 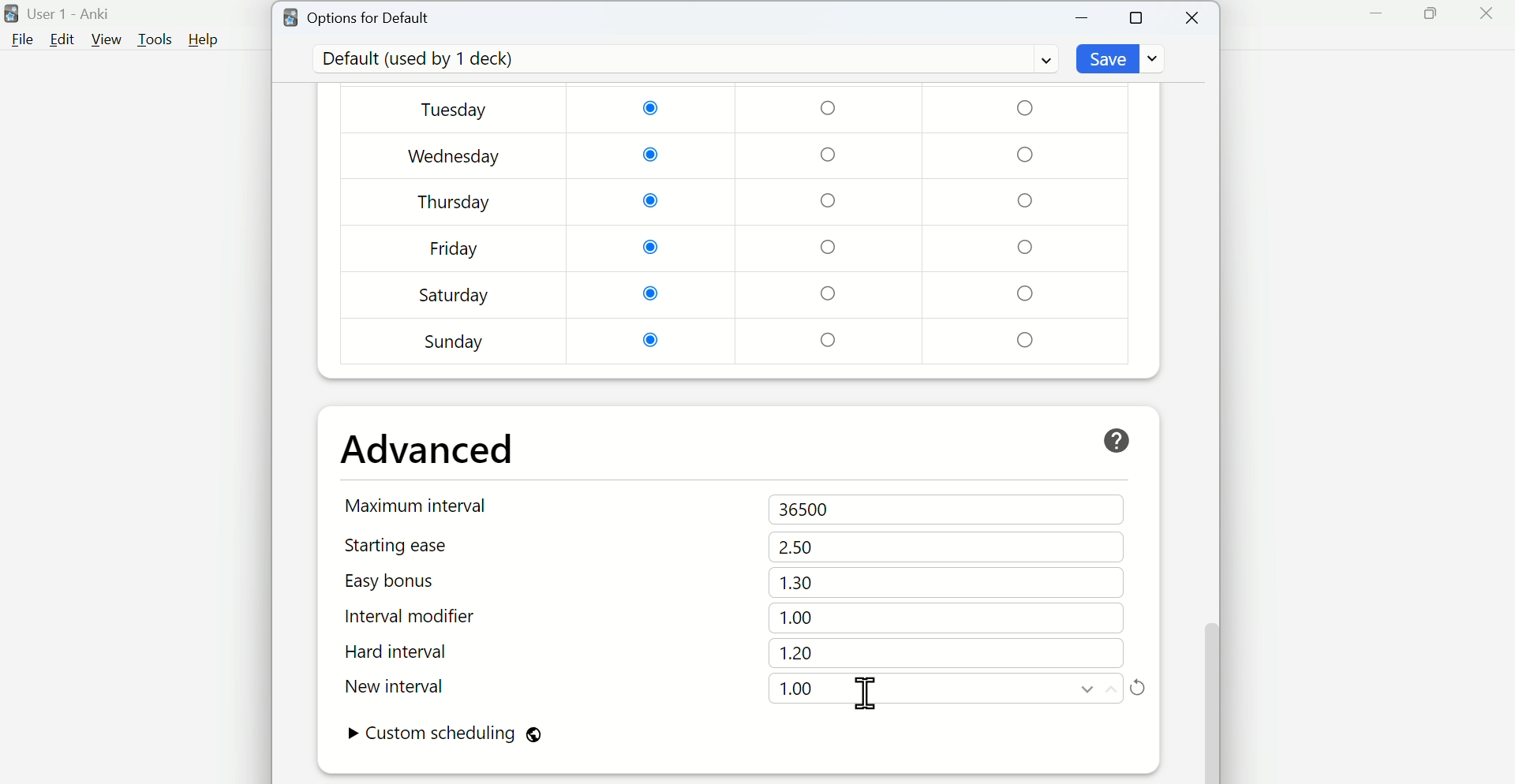 What do you see at coordinates (417, 545) in the screenshot?
I see `Starting ease` at bounding box center [417, 545].